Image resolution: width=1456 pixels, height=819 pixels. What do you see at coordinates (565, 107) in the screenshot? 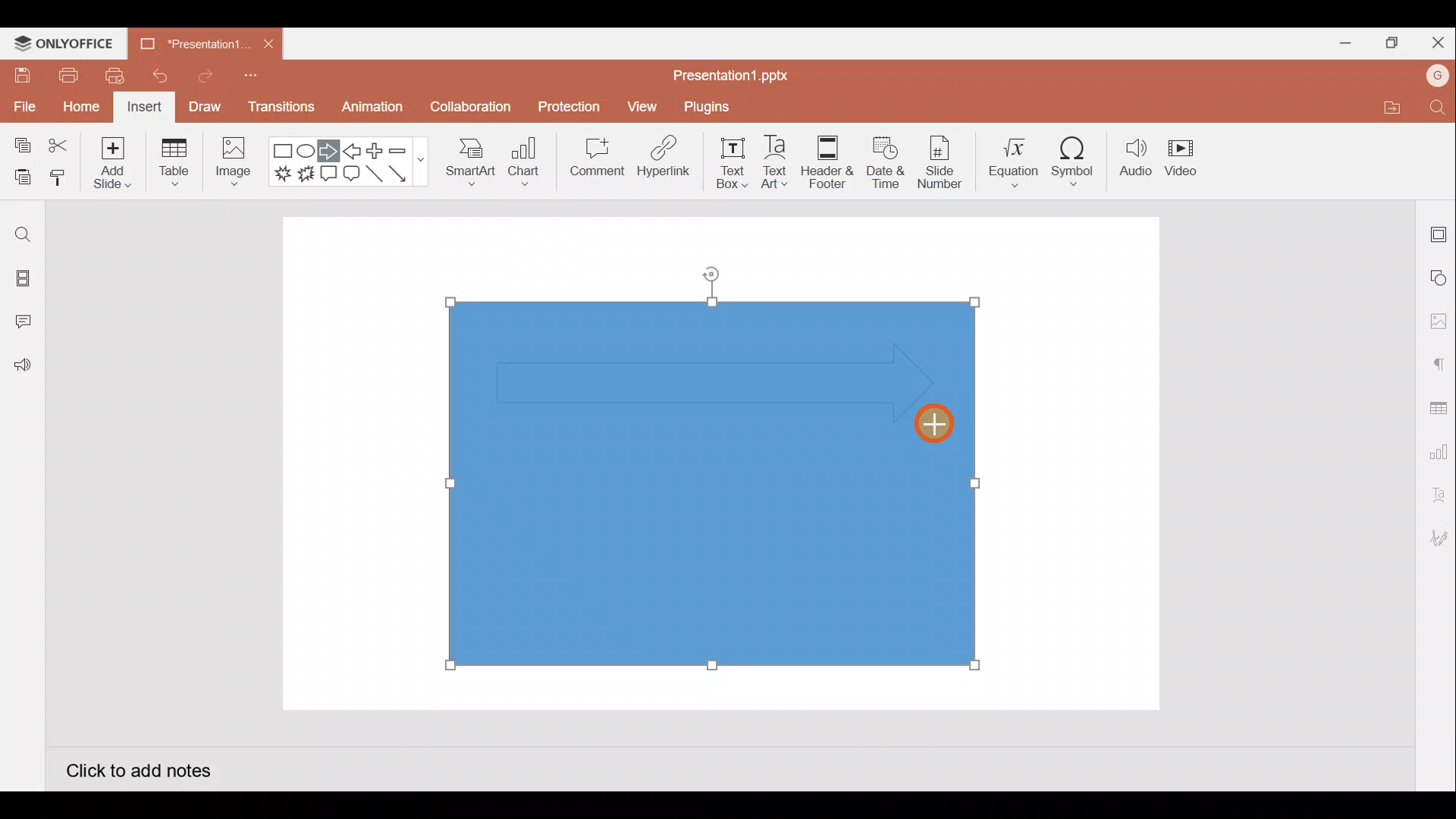
I see `Protection` at bounding box center [565, 107].